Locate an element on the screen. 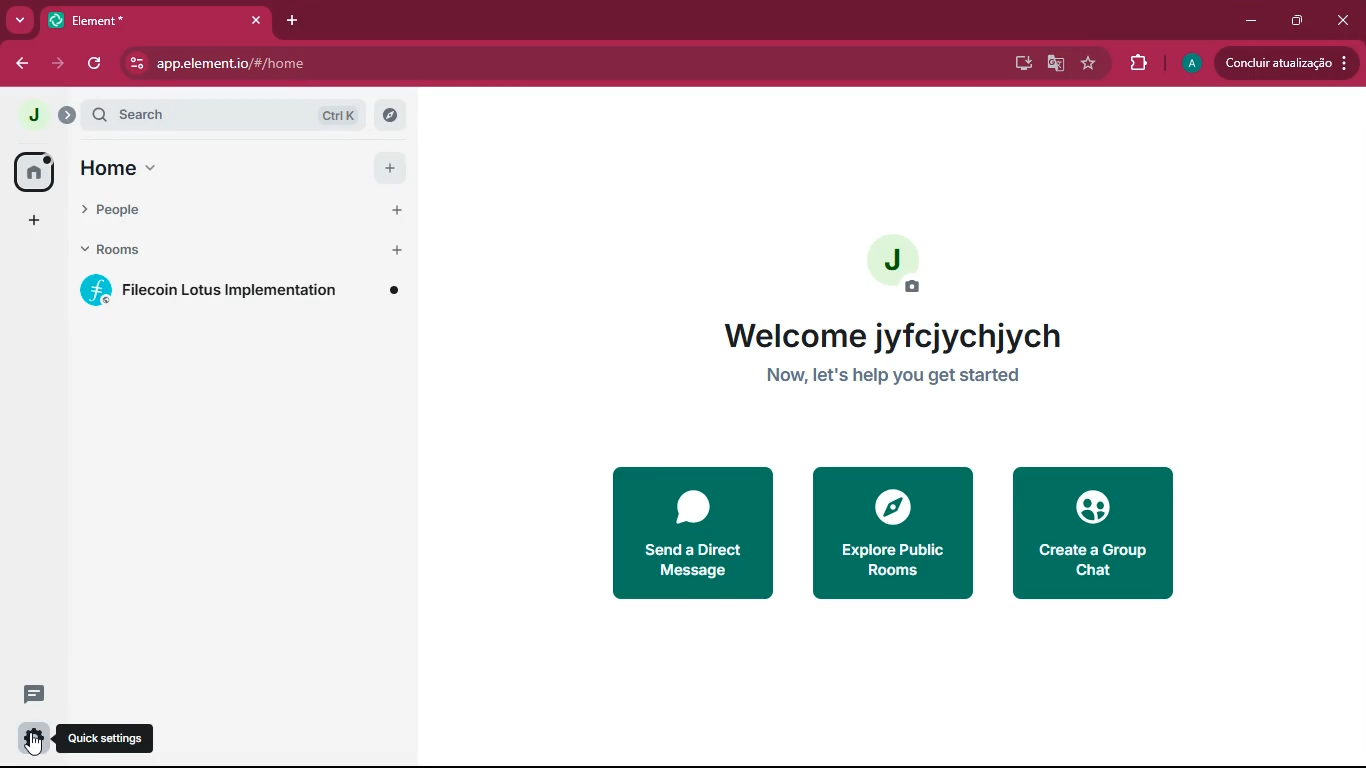 The height and width of the screenshot is (768, 1366). google translate is located at coordinates (1054, 63).